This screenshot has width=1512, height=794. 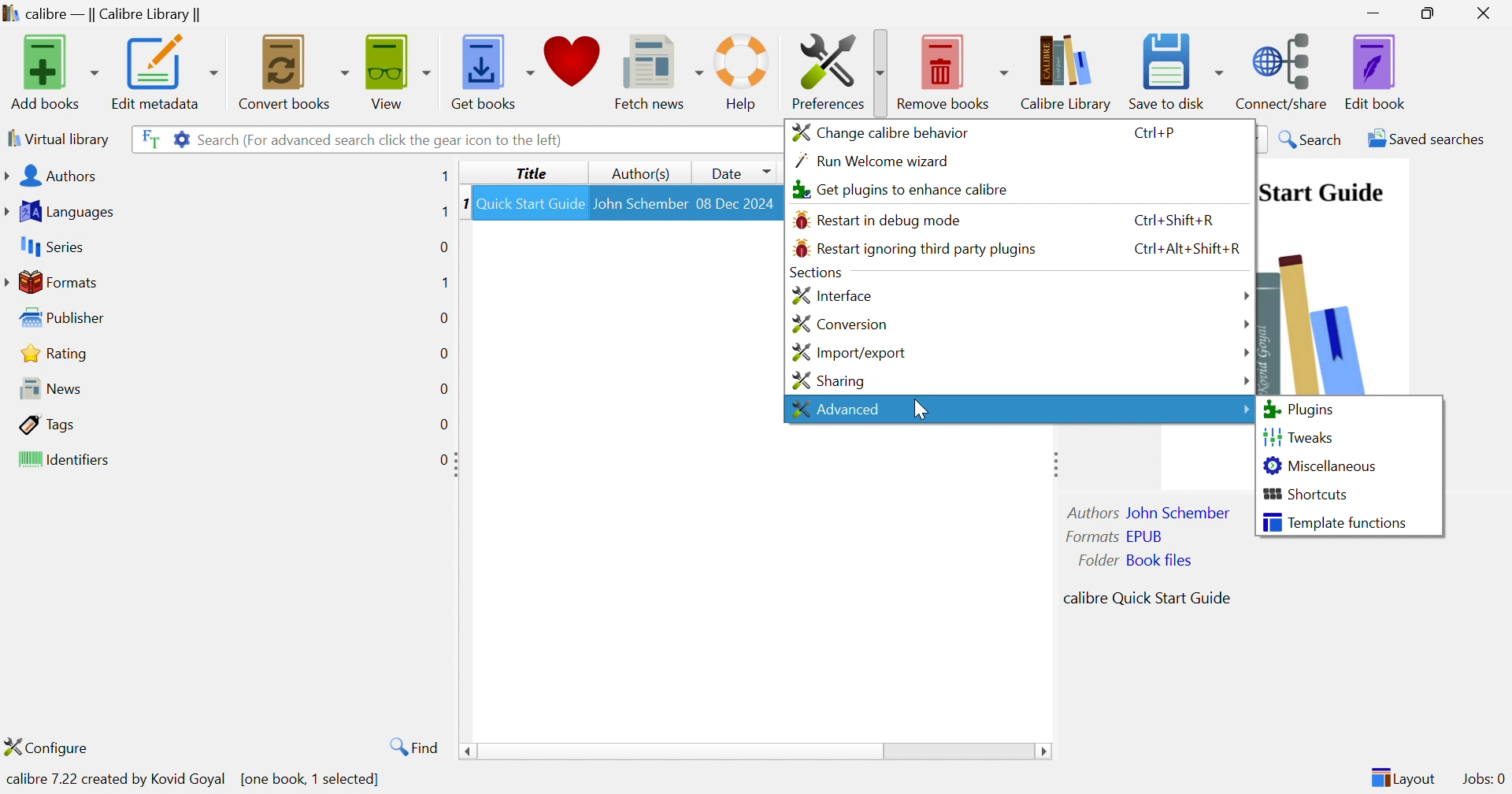 What do you see at coordinates (1488, 13) in the screenshot?
I see `Close` at bounding box center [1488, 13].